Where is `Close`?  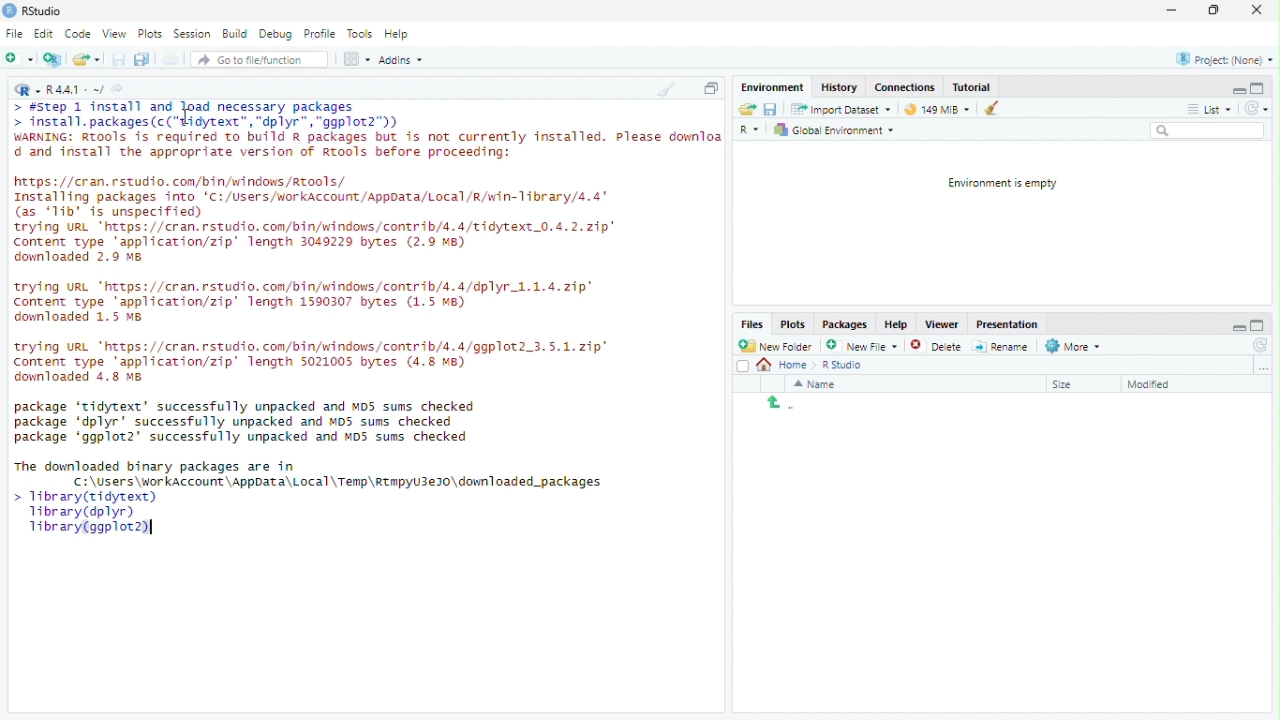 Close is located at coordinates (1256, 11).